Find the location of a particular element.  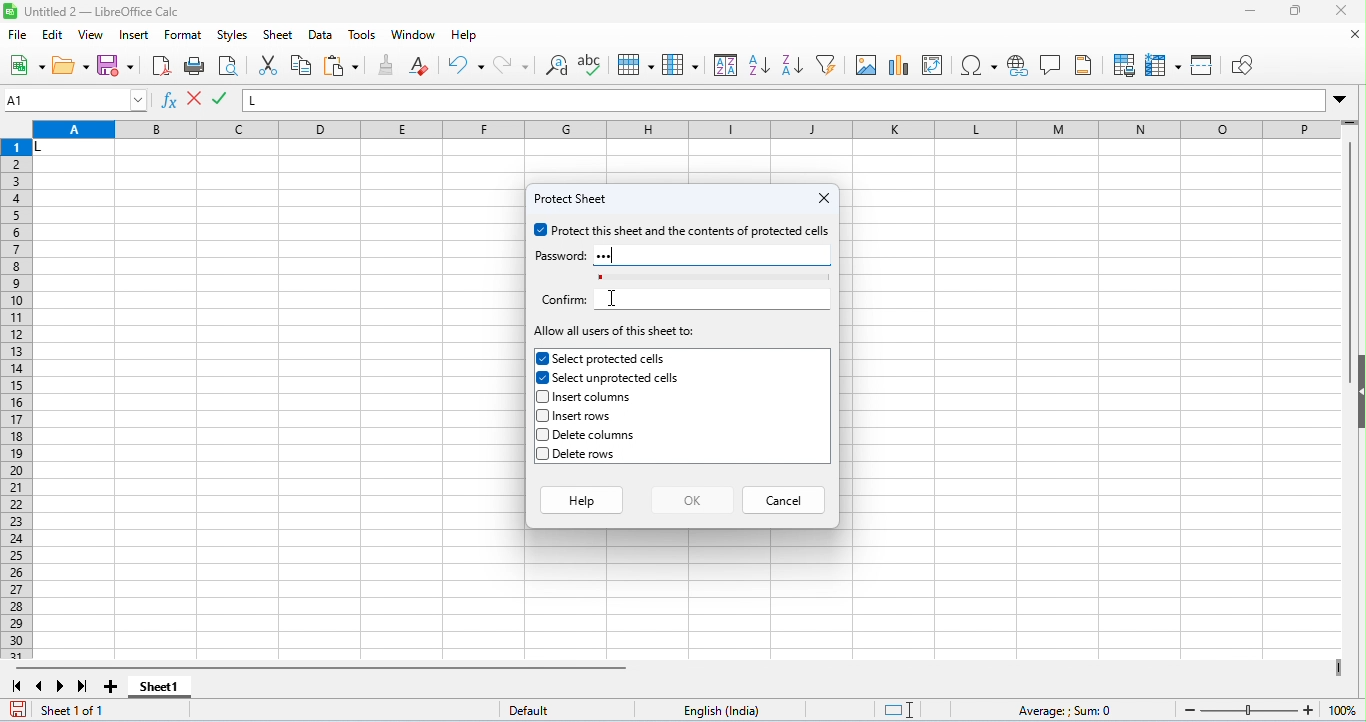

previous is located at coordinates (39, 686).